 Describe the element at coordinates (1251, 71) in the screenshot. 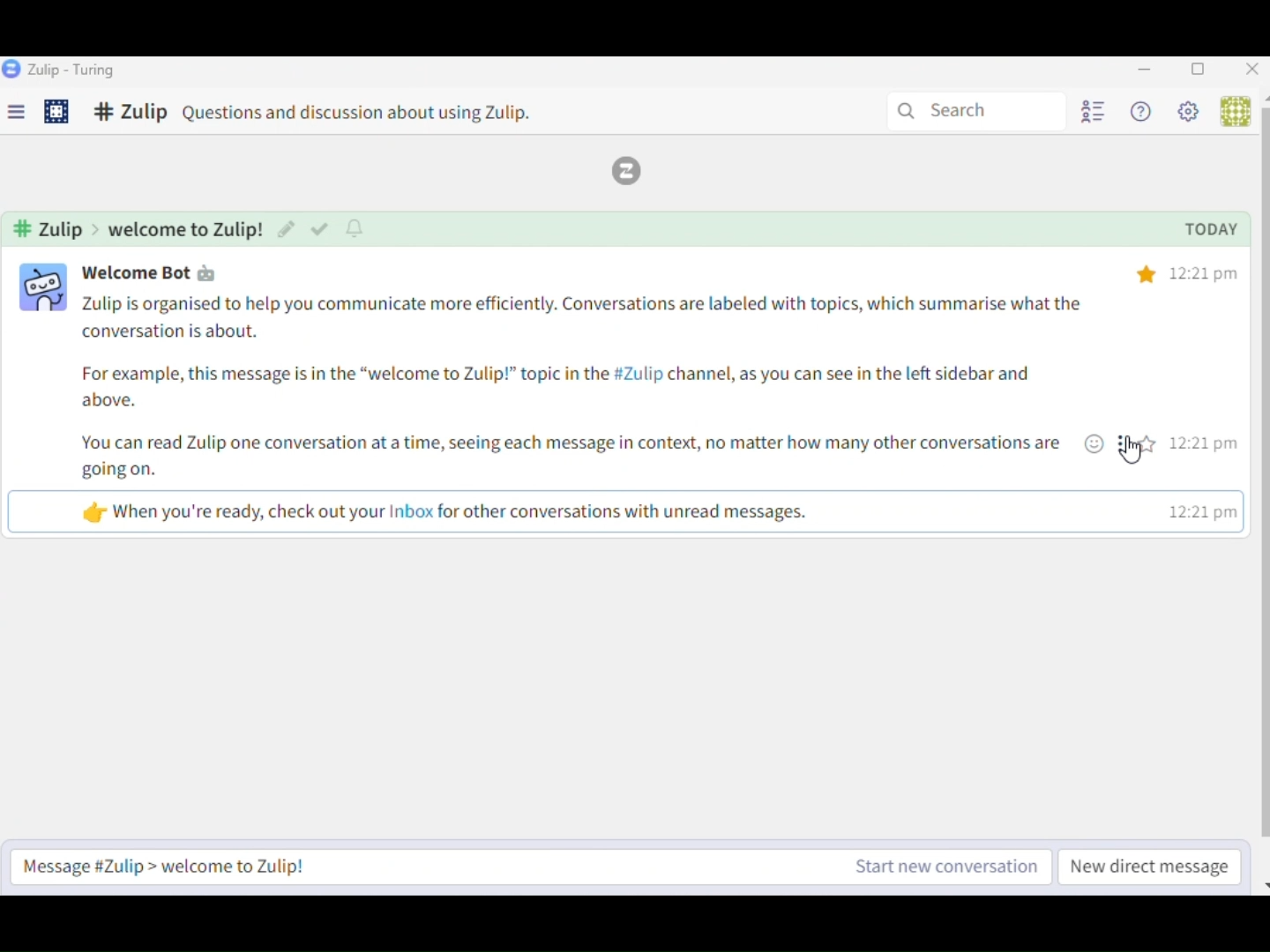

I see `Close` at that location.